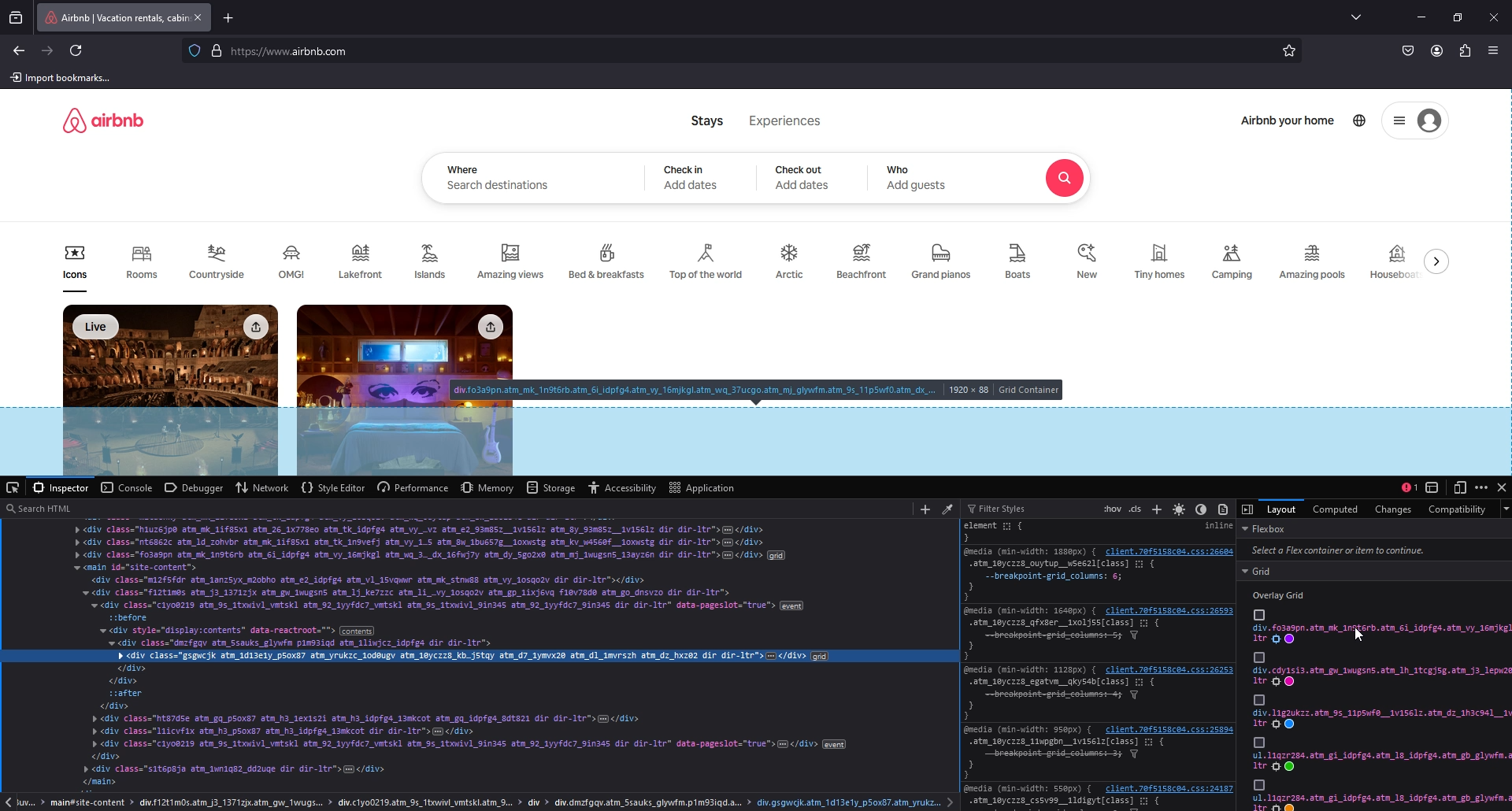  Describe the element at coordinates (623, 487) in the screenshot. I see `accessibility` at that location.